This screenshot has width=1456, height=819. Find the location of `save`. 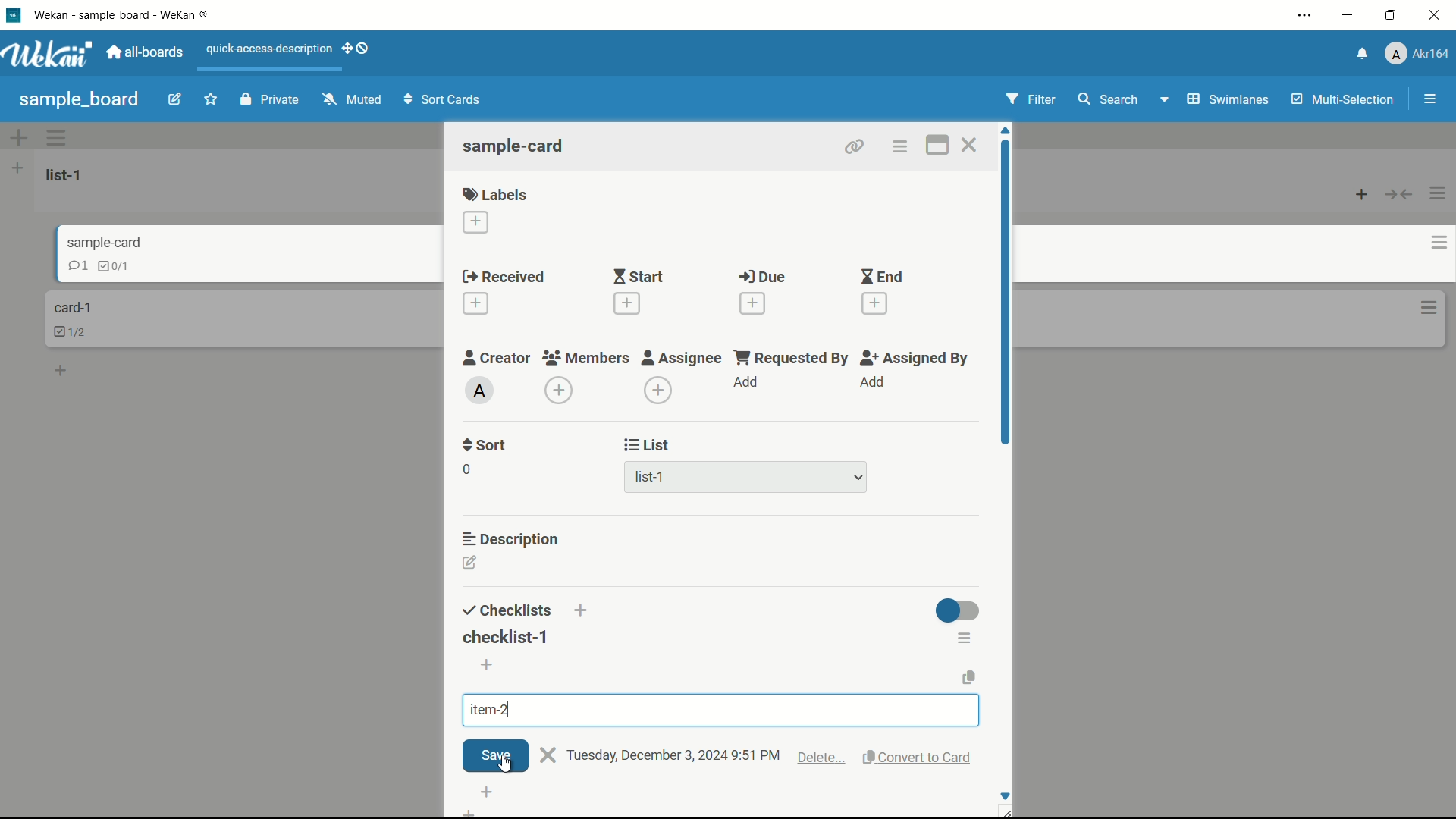

save is located at coordinates (494, 755).